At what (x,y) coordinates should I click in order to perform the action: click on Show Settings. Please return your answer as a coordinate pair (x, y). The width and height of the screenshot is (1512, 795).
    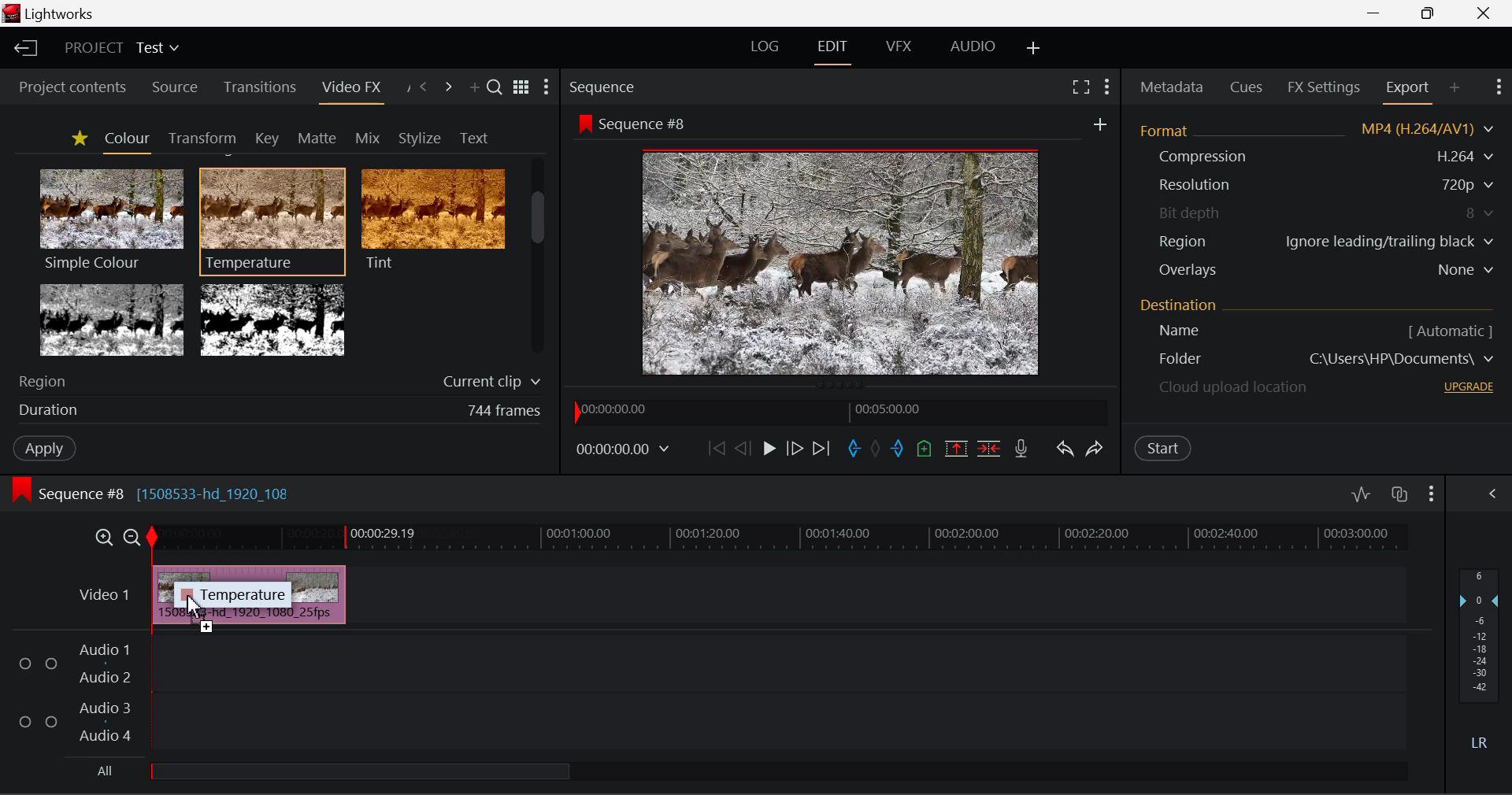
    Looking at the image, I should click on (1492, 494).